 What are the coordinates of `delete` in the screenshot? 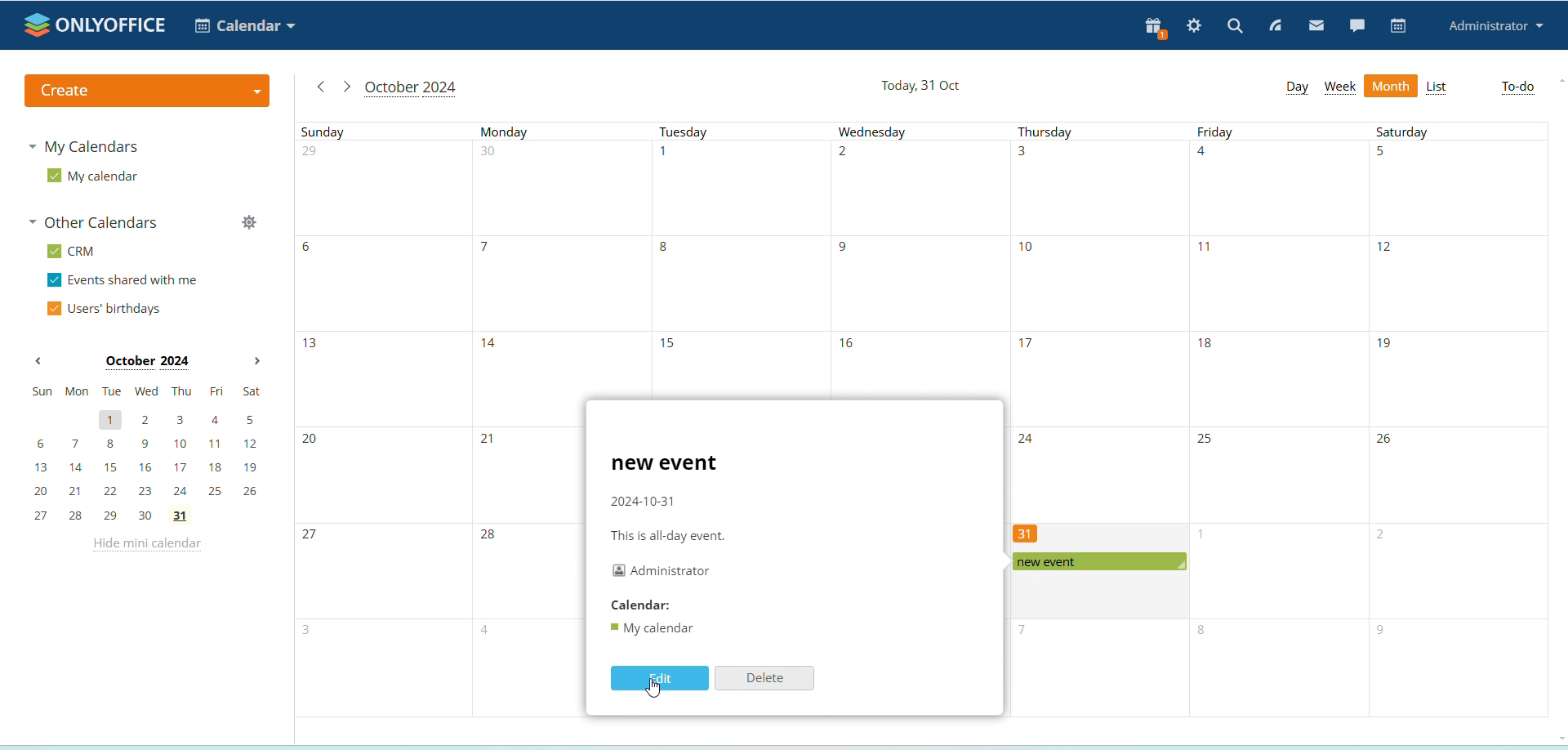 It's located at (764, 677).